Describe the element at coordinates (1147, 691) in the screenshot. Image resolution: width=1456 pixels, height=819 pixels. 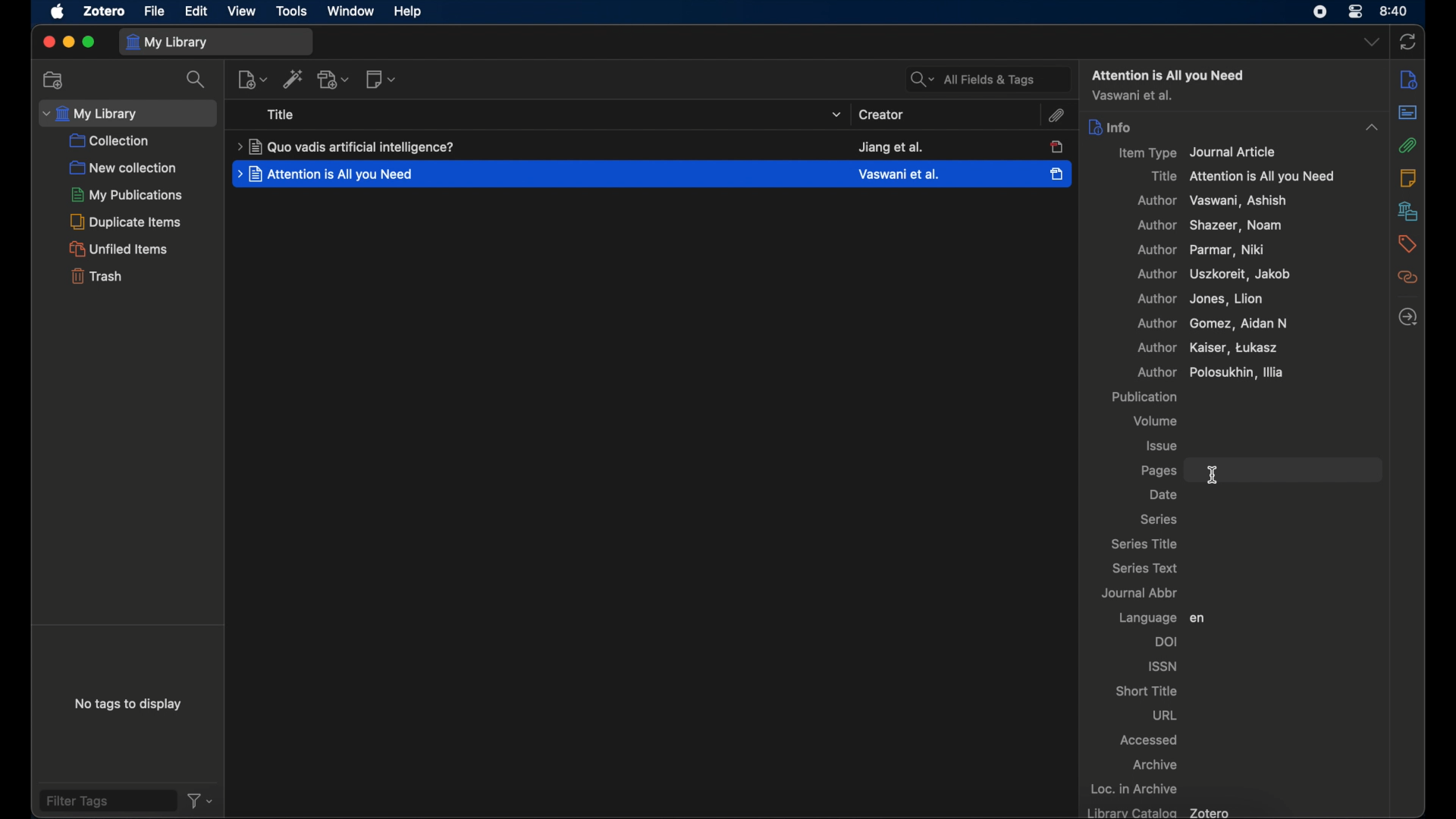
I see `short title` at that location.